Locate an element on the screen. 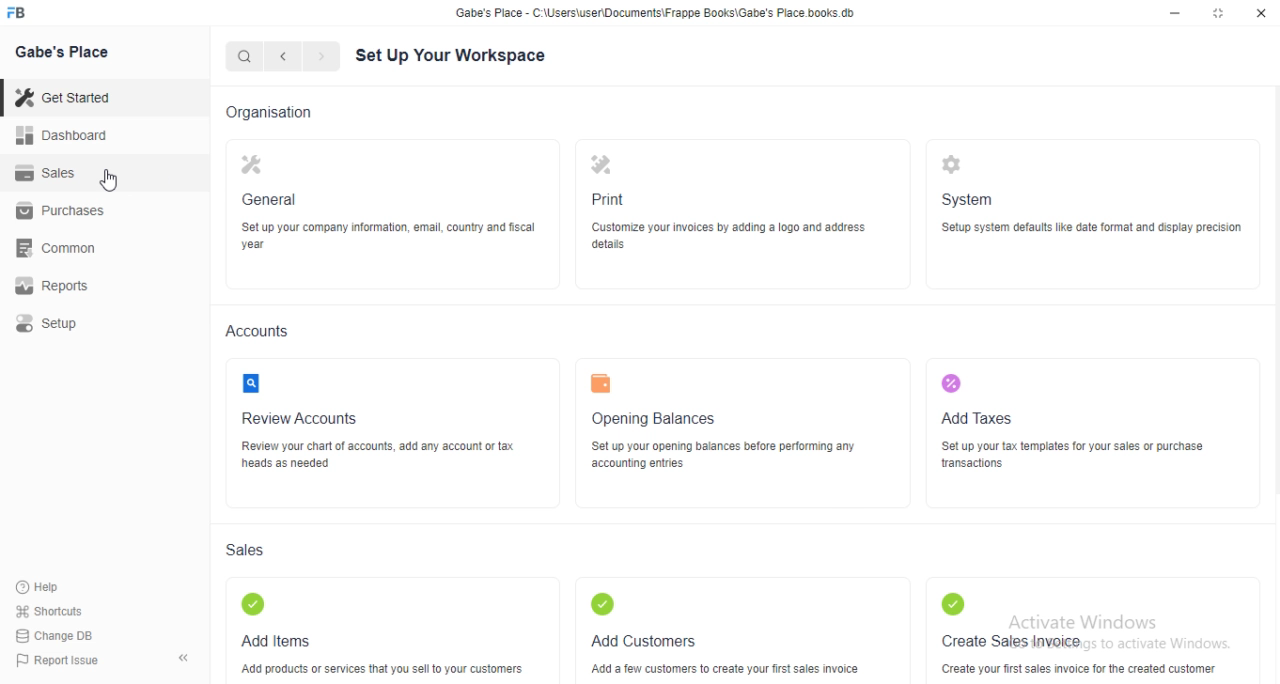  System is located at coordinates (967, 199).